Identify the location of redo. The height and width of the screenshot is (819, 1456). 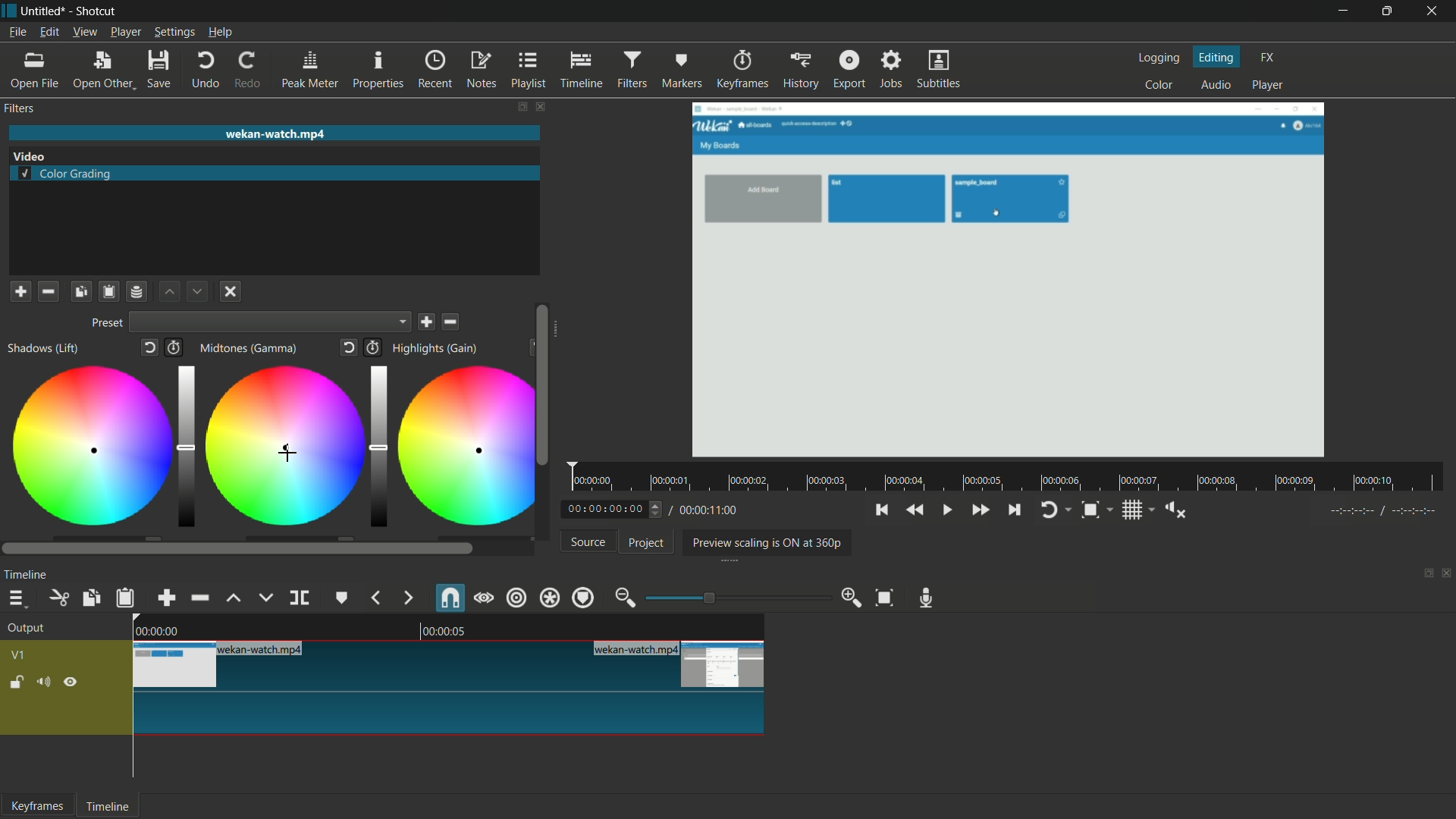
(250, 70).